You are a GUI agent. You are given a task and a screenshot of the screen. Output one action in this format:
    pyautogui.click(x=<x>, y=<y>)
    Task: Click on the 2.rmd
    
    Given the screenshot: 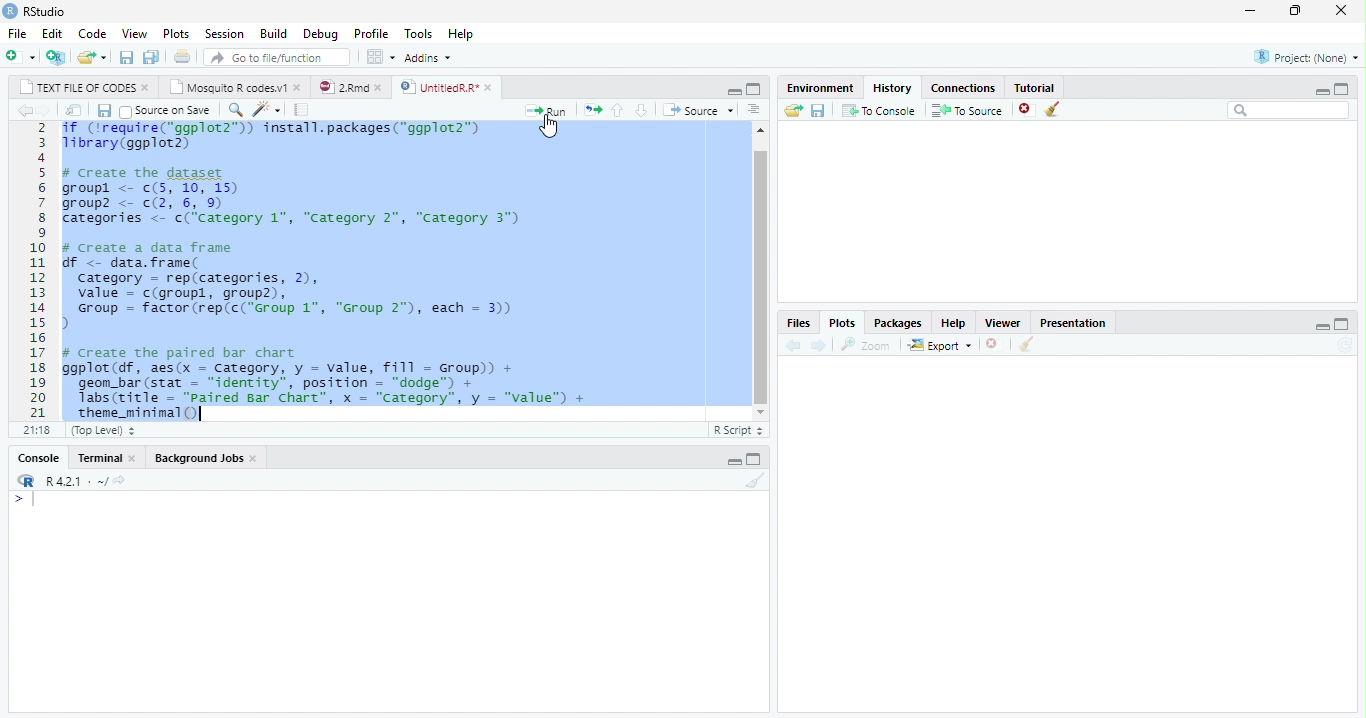 What is the action you would take?
    pyautogui.click(x=344, y=87)
    